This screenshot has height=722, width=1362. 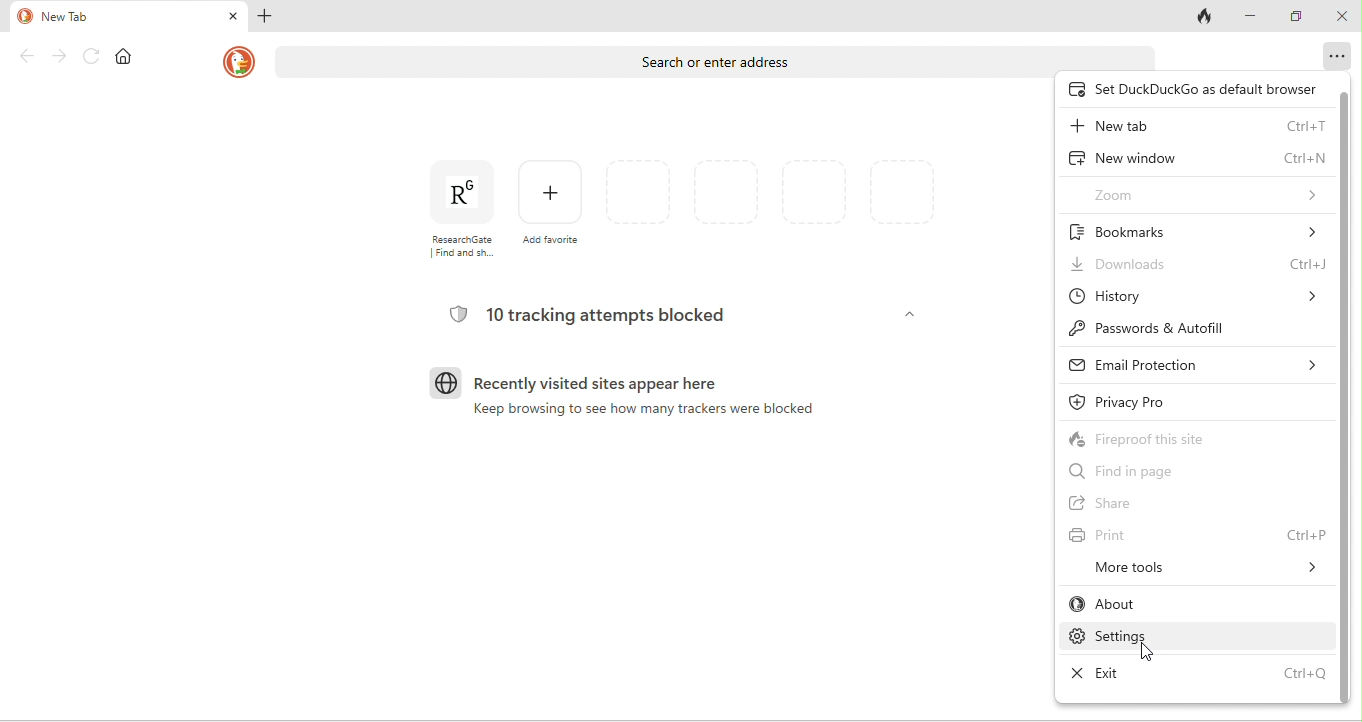 What do you see at coordinates (1196, 88) in the screenshot?
I see `set duck duck go as default browser` at bounding box center [1196, 88].